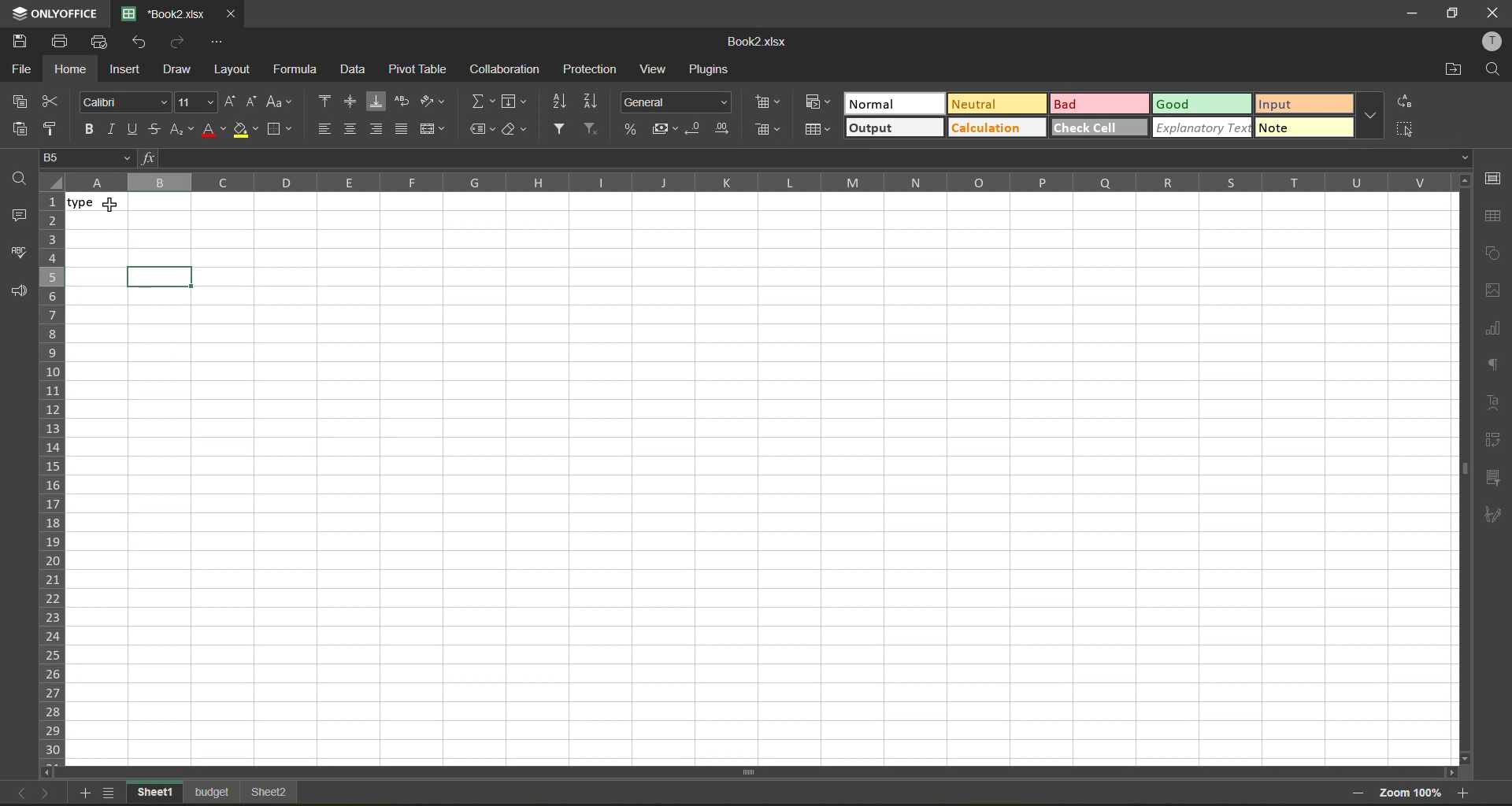 This screenshot has height=806, width=1512. I want to click on zoom in, so click(1465, 793).